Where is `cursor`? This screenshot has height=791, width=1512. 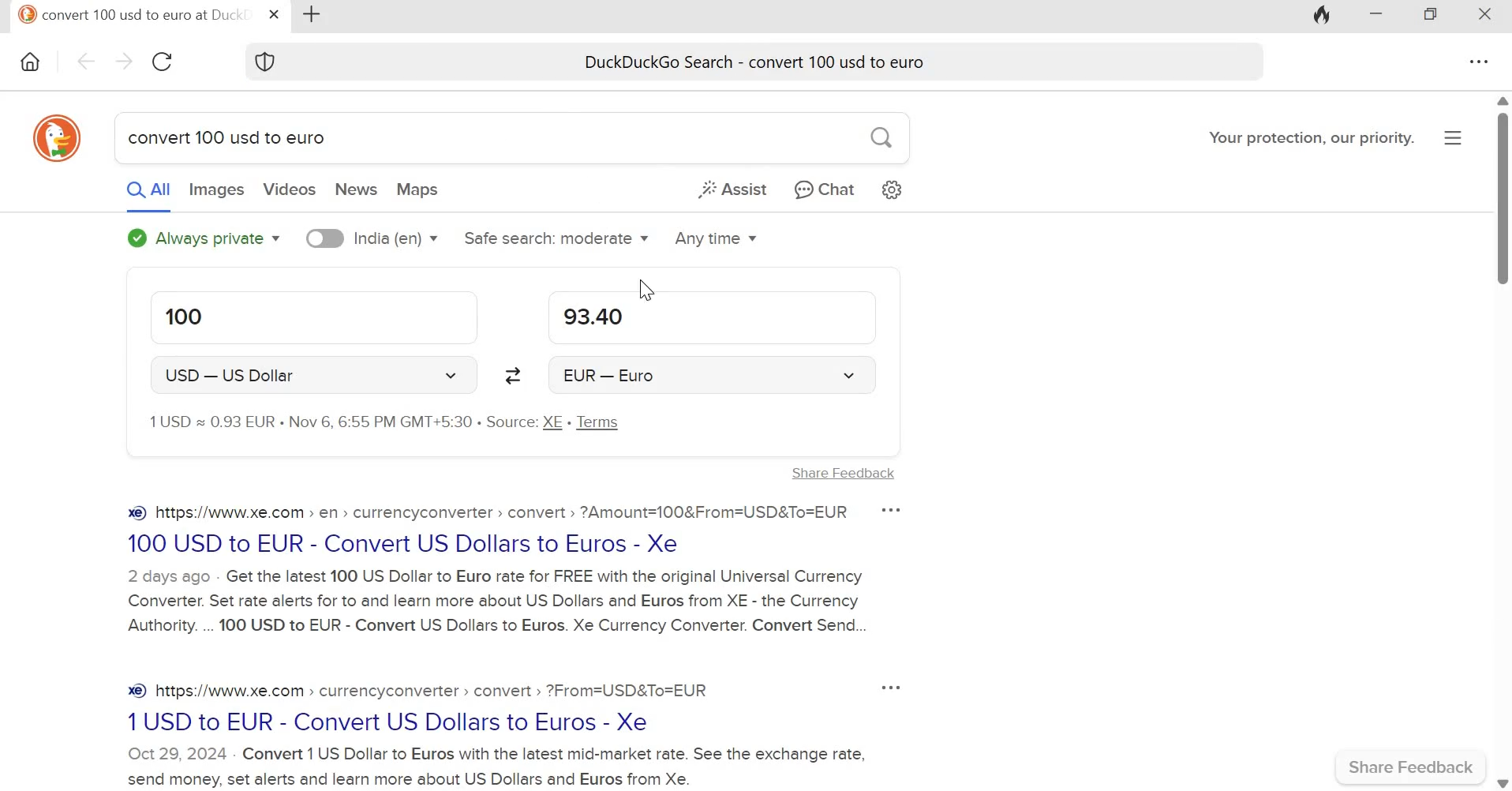 cursor is located at coordinates (646, 281).